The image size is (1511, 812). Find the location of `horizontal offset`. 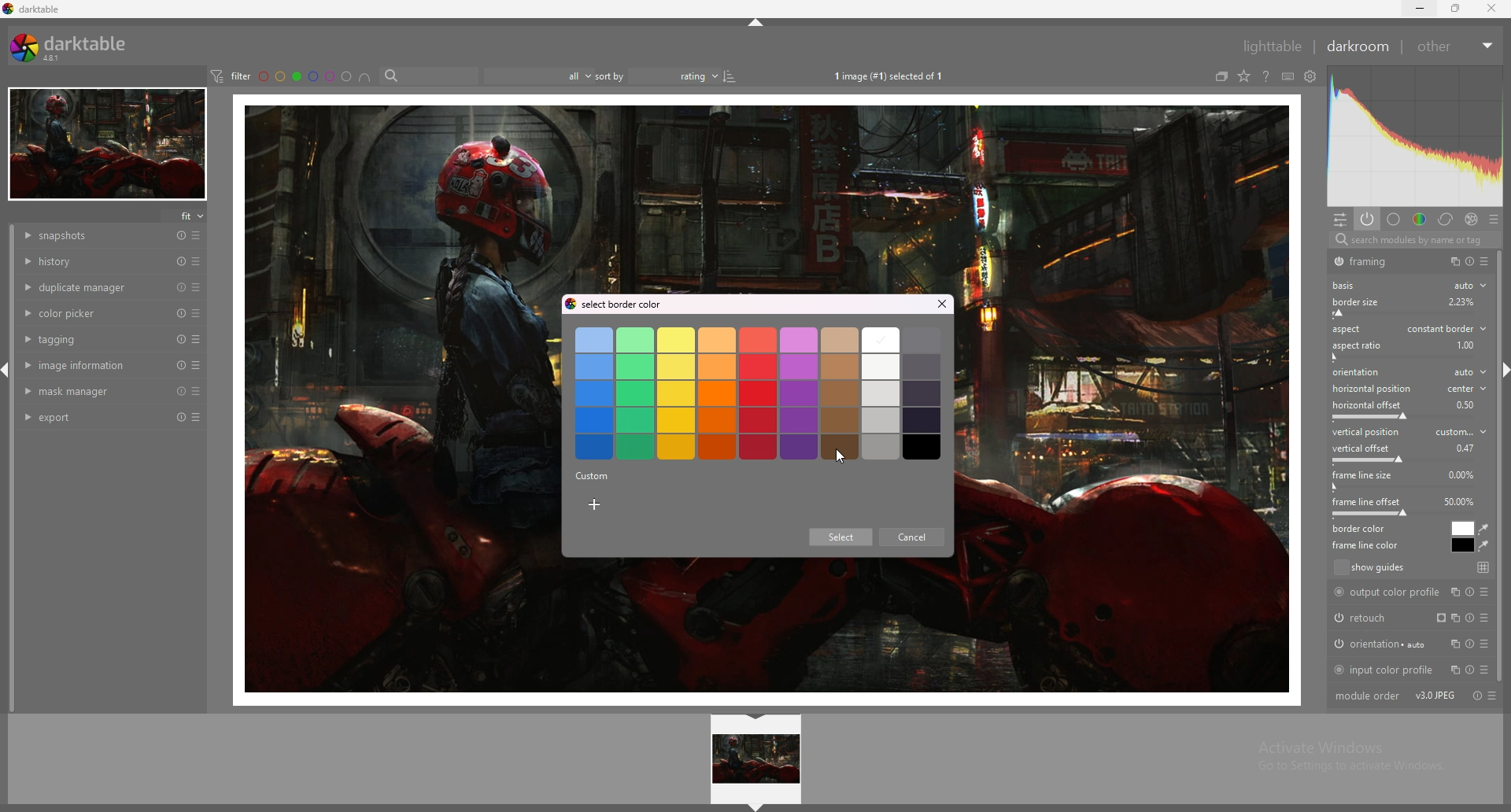

horizontal offset is located at coordinates (1369, 405).